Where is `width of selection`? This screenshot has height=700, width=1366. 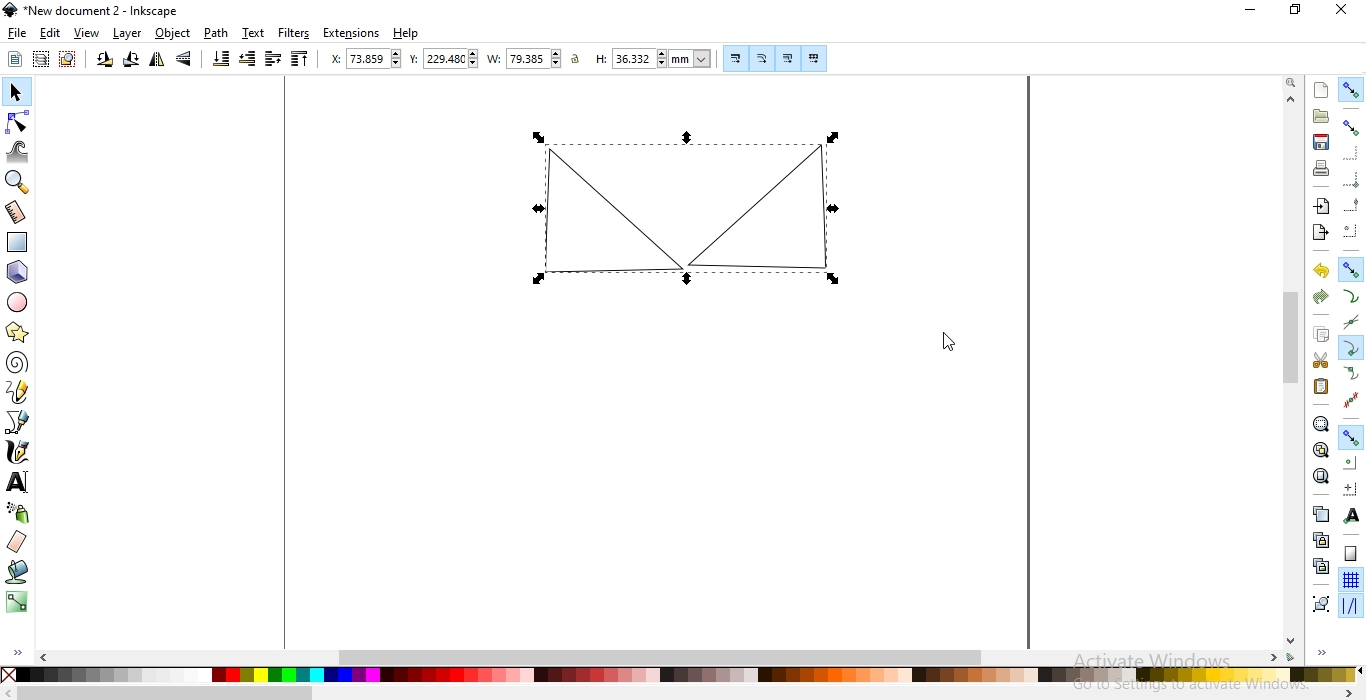 width of selection is located at coordinates (524, 58).